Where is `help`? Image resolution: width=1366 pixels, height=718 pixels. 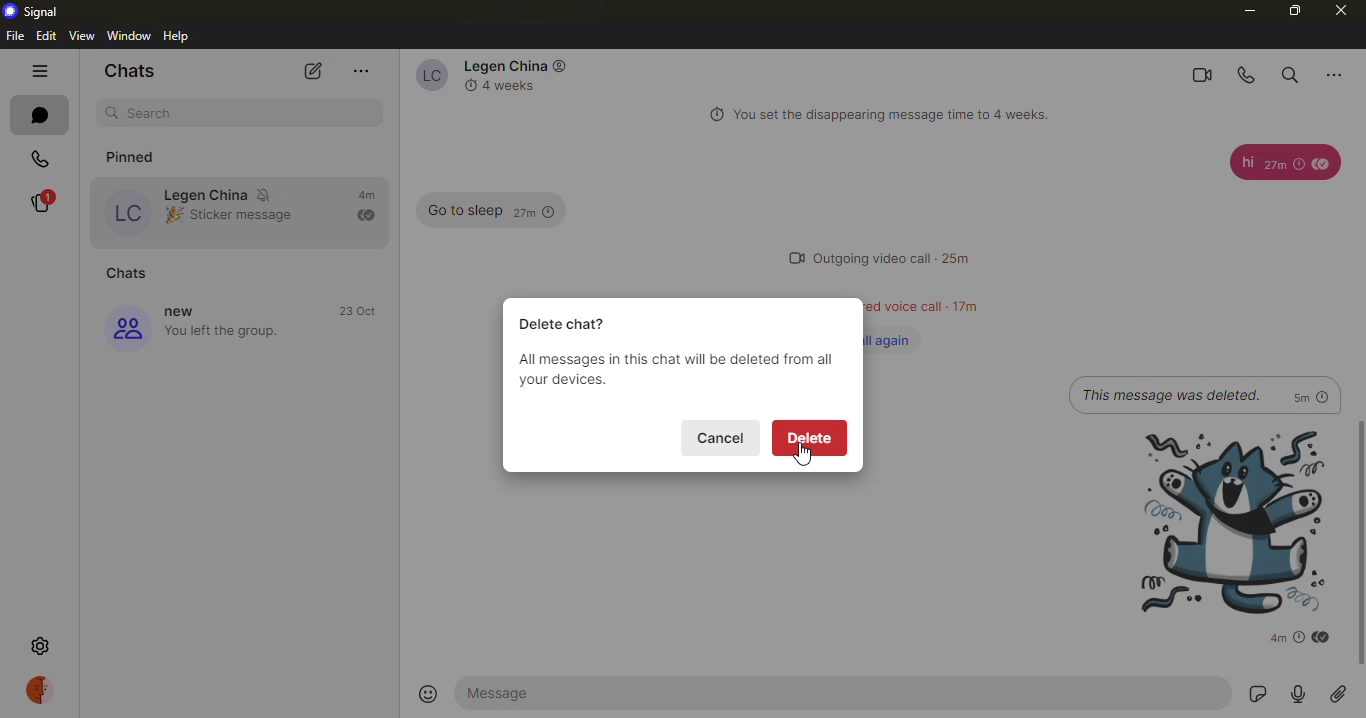
help is located at coordinates (180, 35).